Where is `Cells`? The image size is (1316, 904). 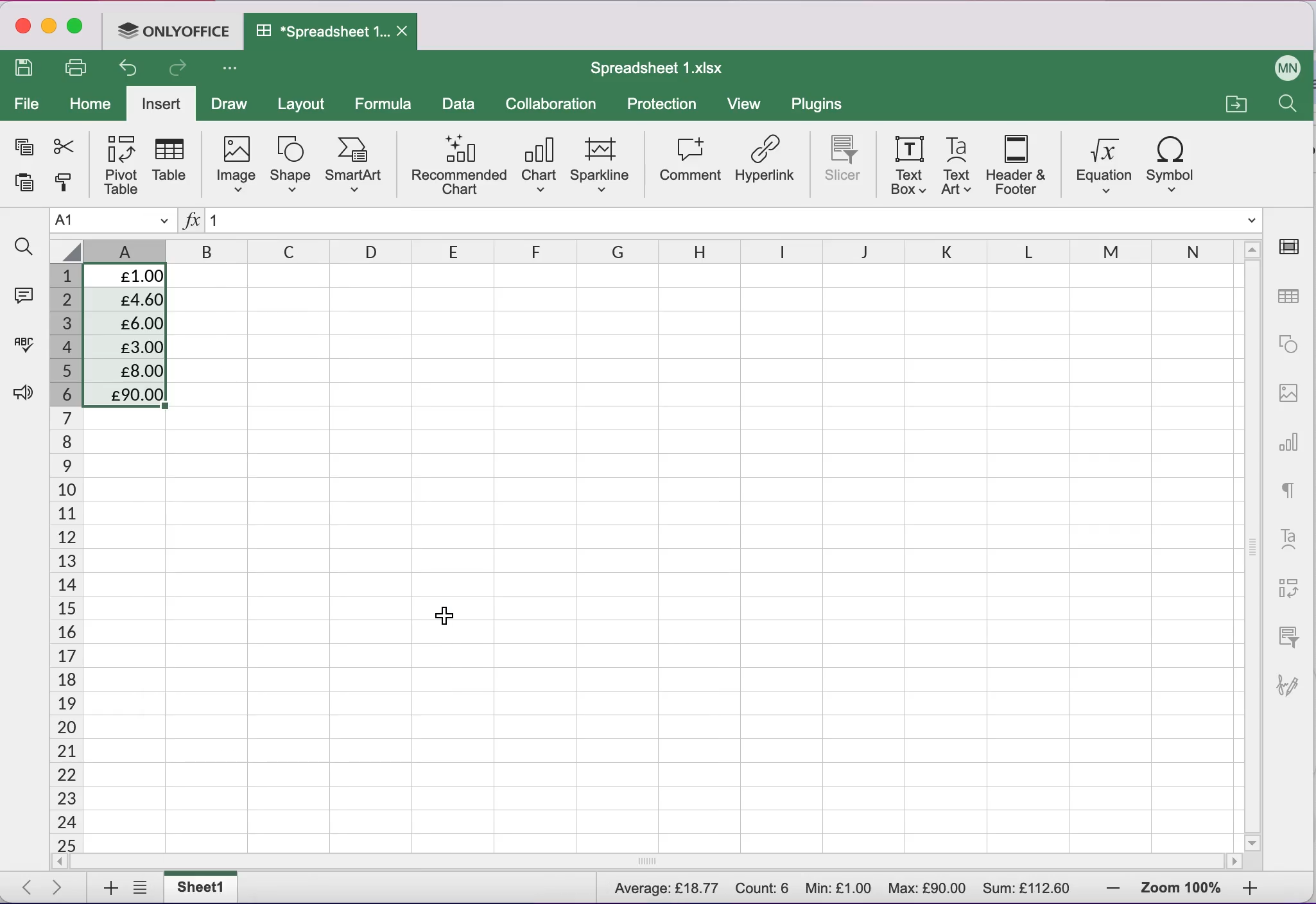 Cells is located at coordinates (710, 552).